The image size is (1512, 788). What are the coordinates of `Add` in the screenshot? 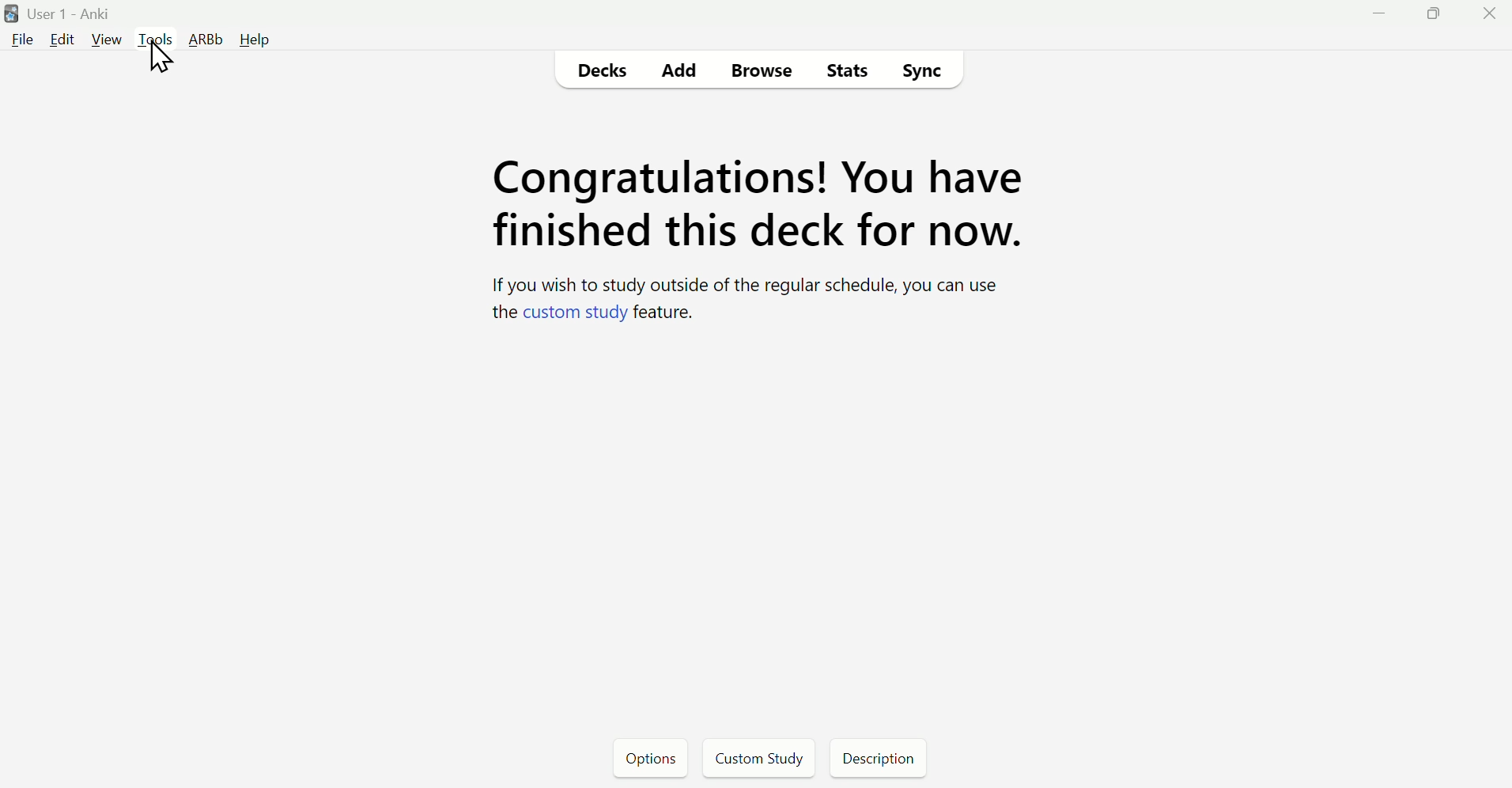 It's located at (679, 72).